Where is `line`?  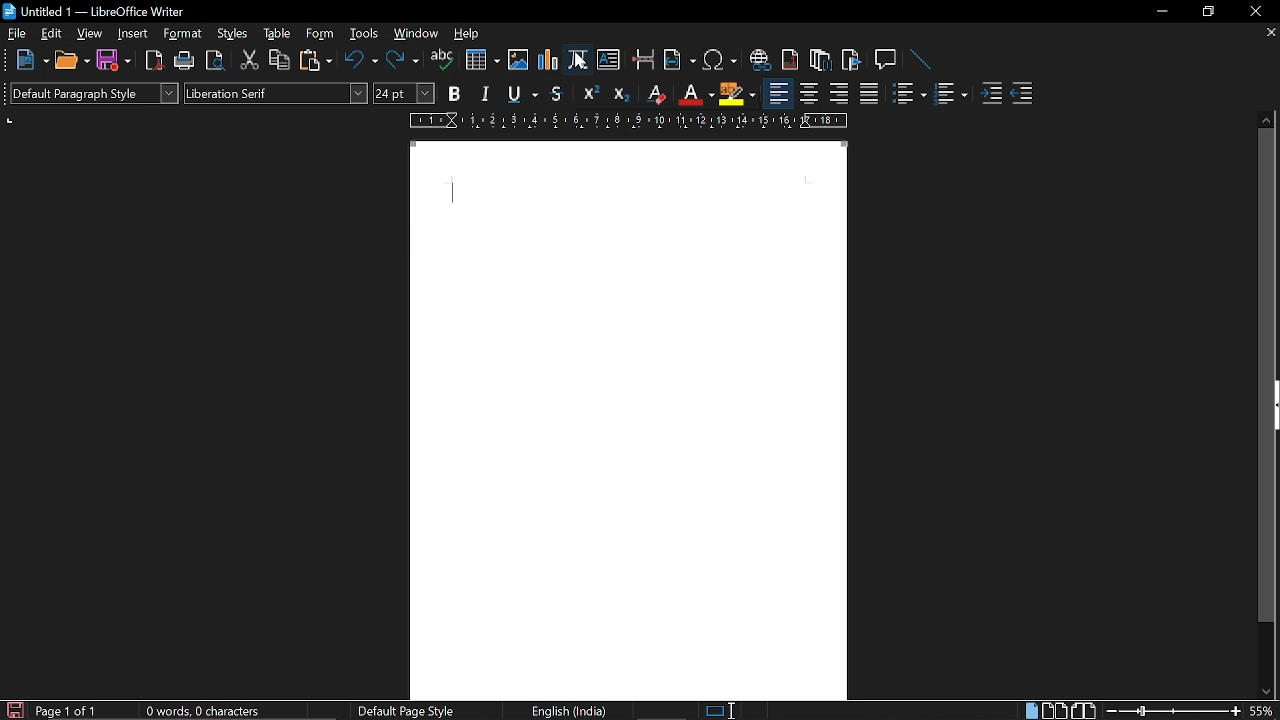
line is located at coordinates (918, 60).